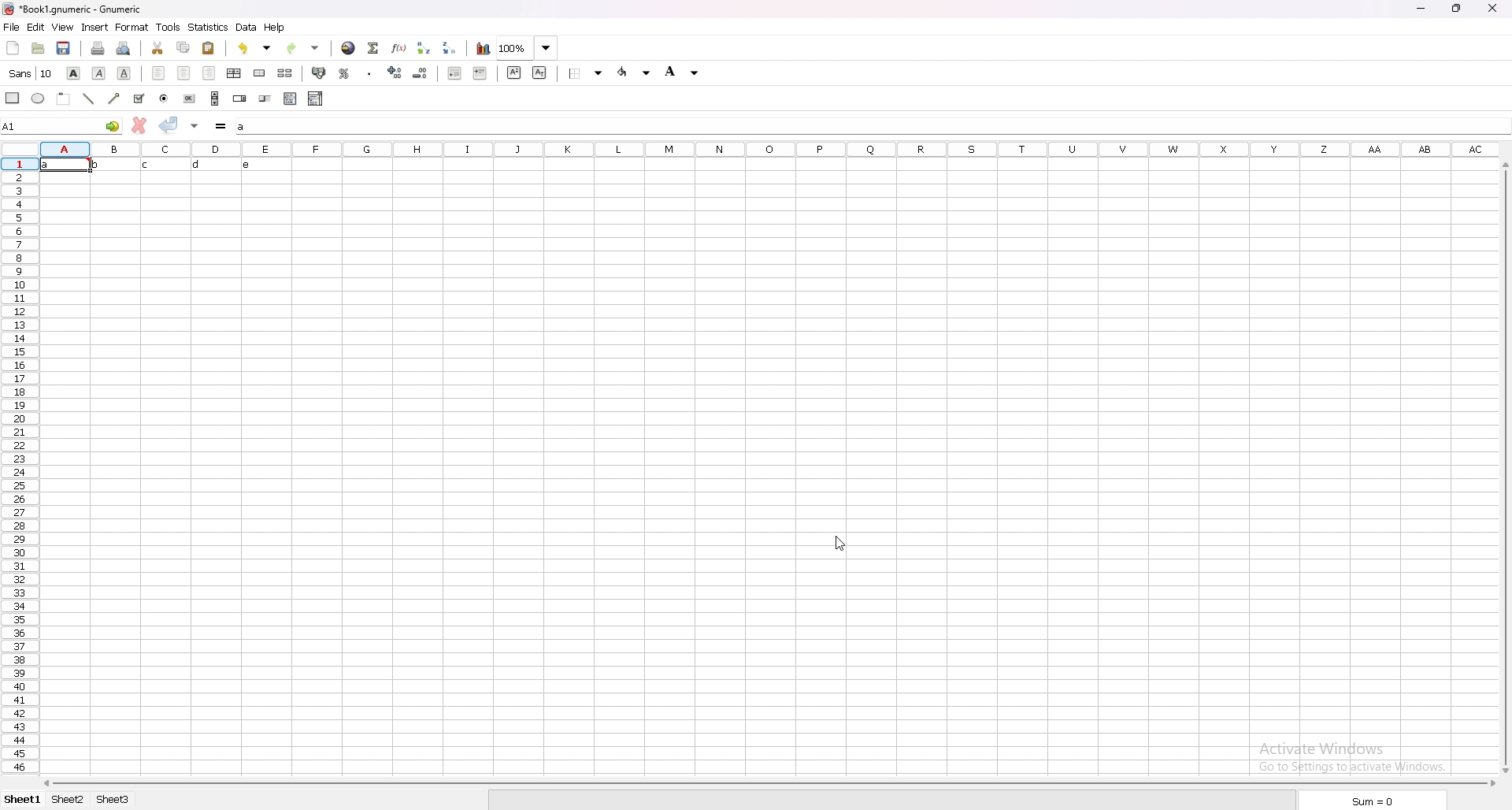 This screenshot has width=1512, height=810. I want to click on ellipse, so click(38, 98).